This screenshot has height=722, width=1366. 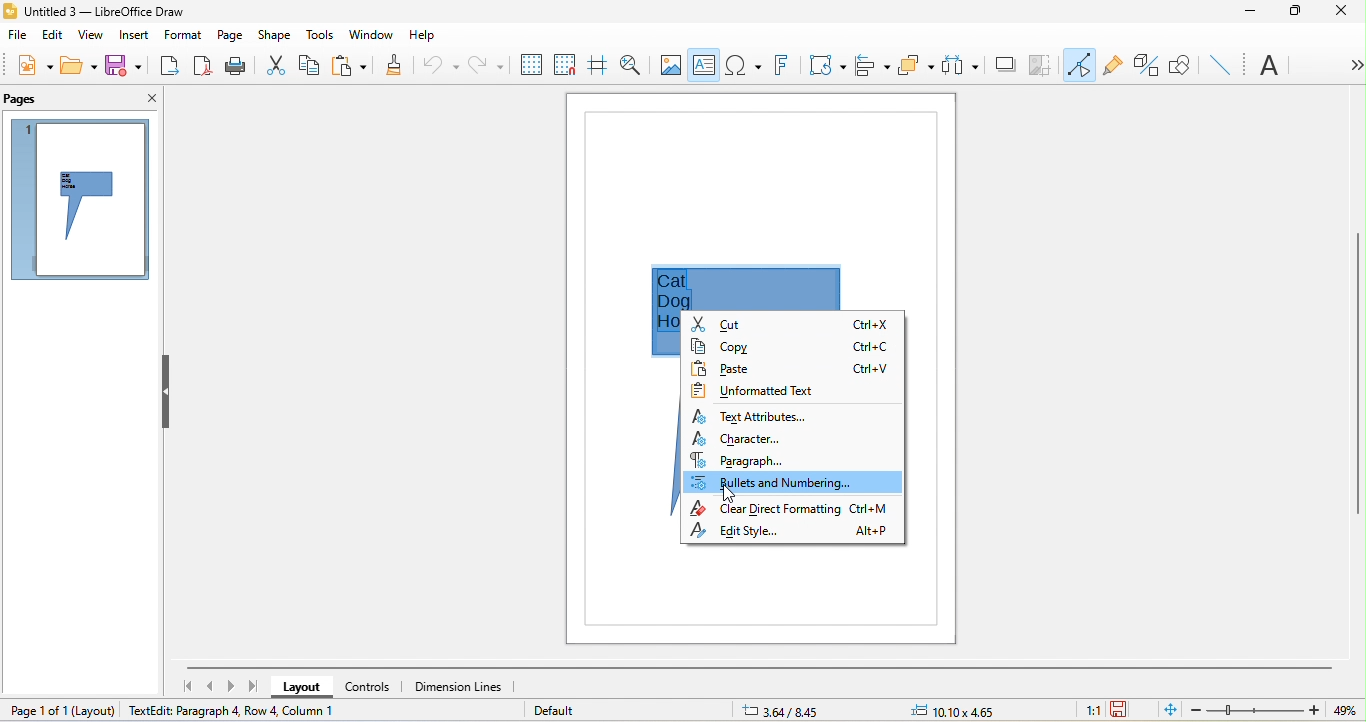 I want to click on text attributes, so click(x=753, y=413).